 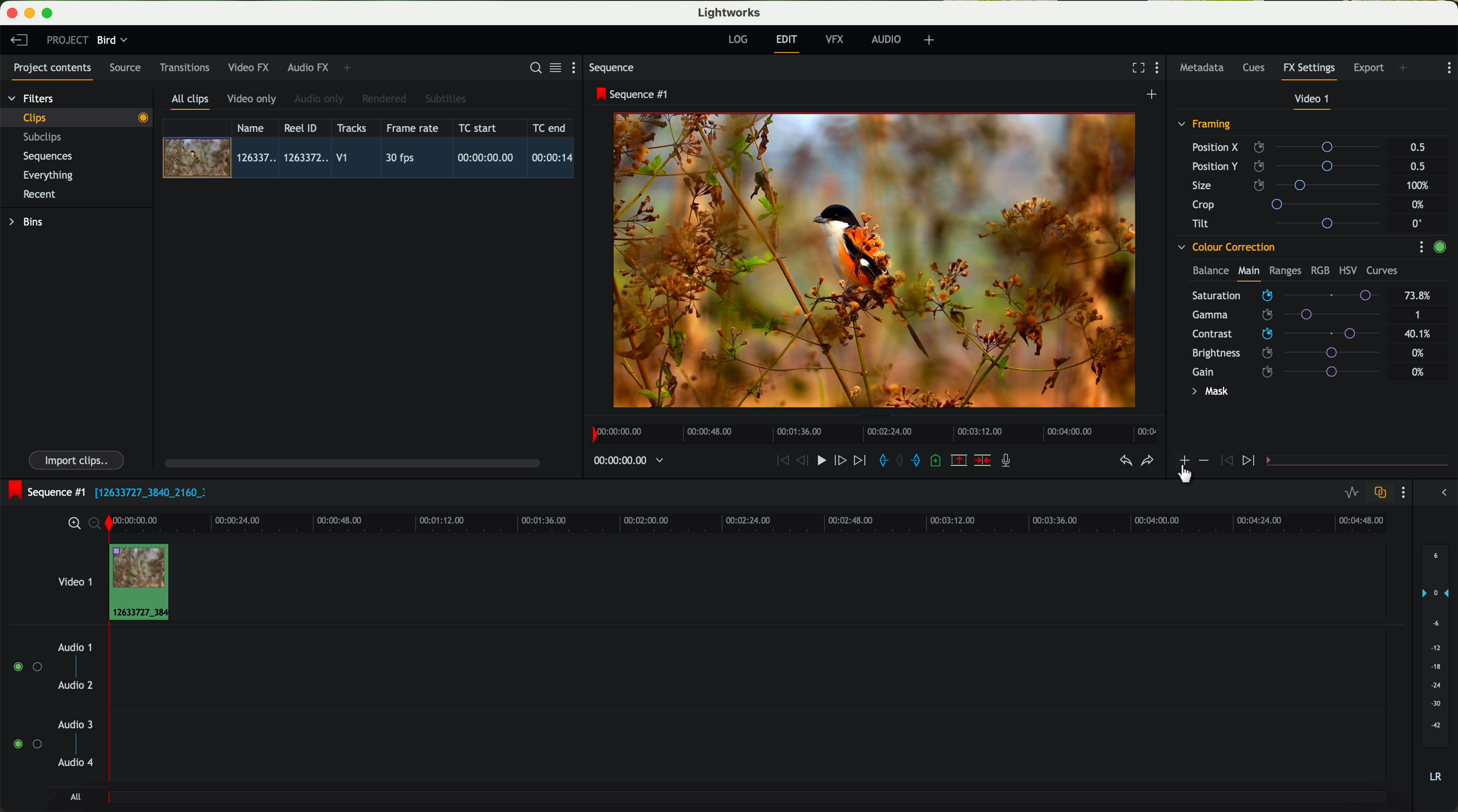 I want to click on click on saturation, so click(x=1280, y=316).